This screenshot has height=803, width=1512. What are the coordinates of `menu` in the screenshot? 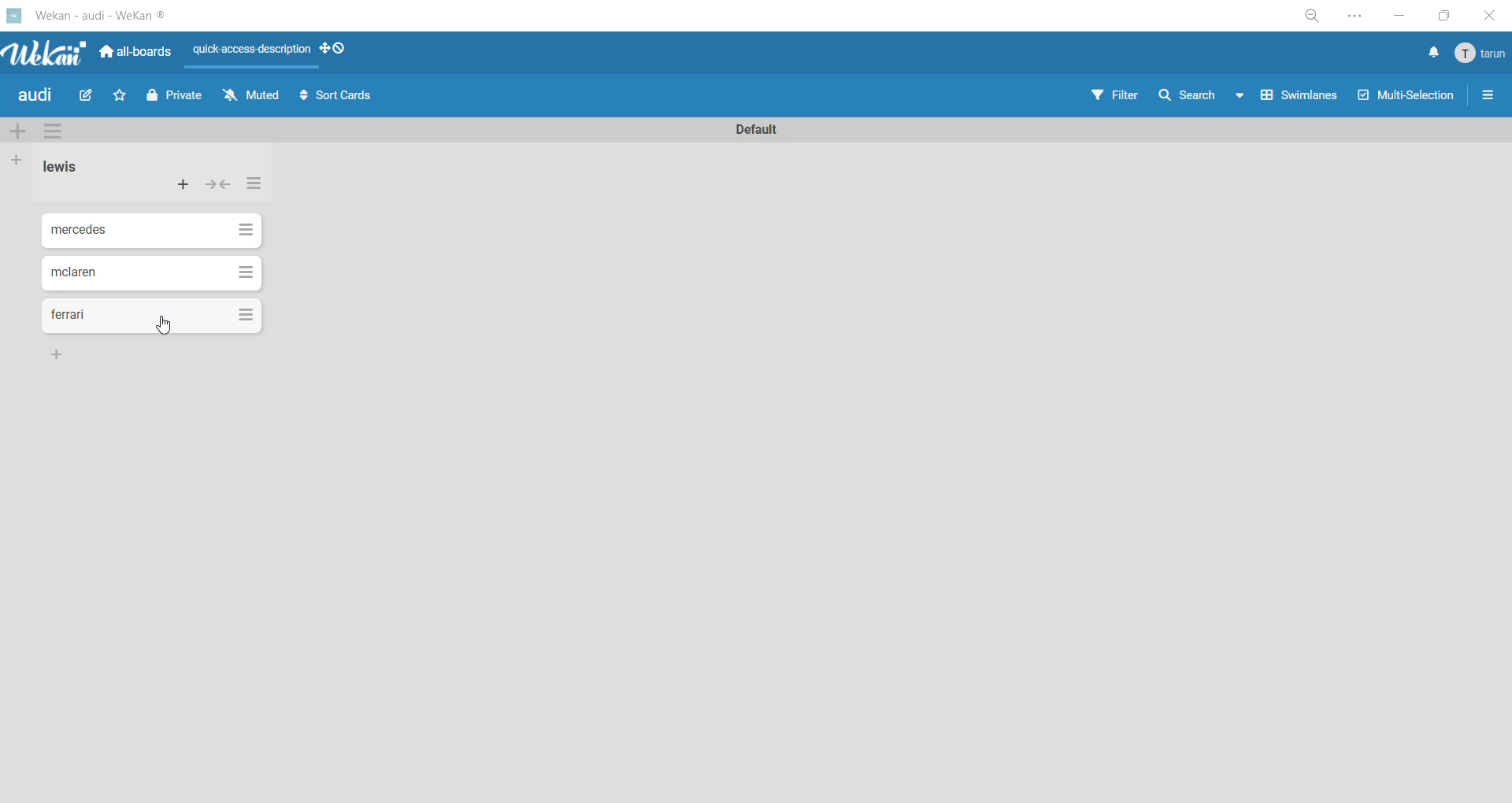 It's located at (1480, 55).